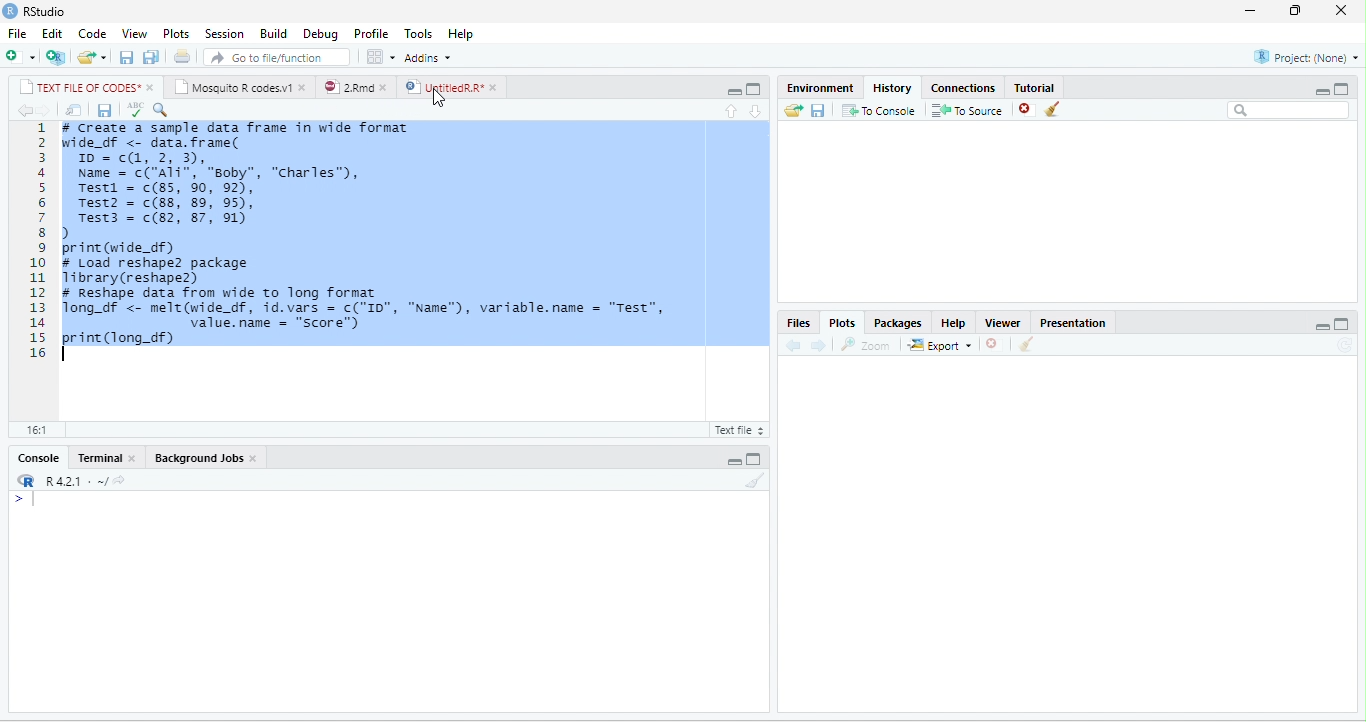 This screenshot has width=1366, height=722. I want to click on close, so click(496, 88).